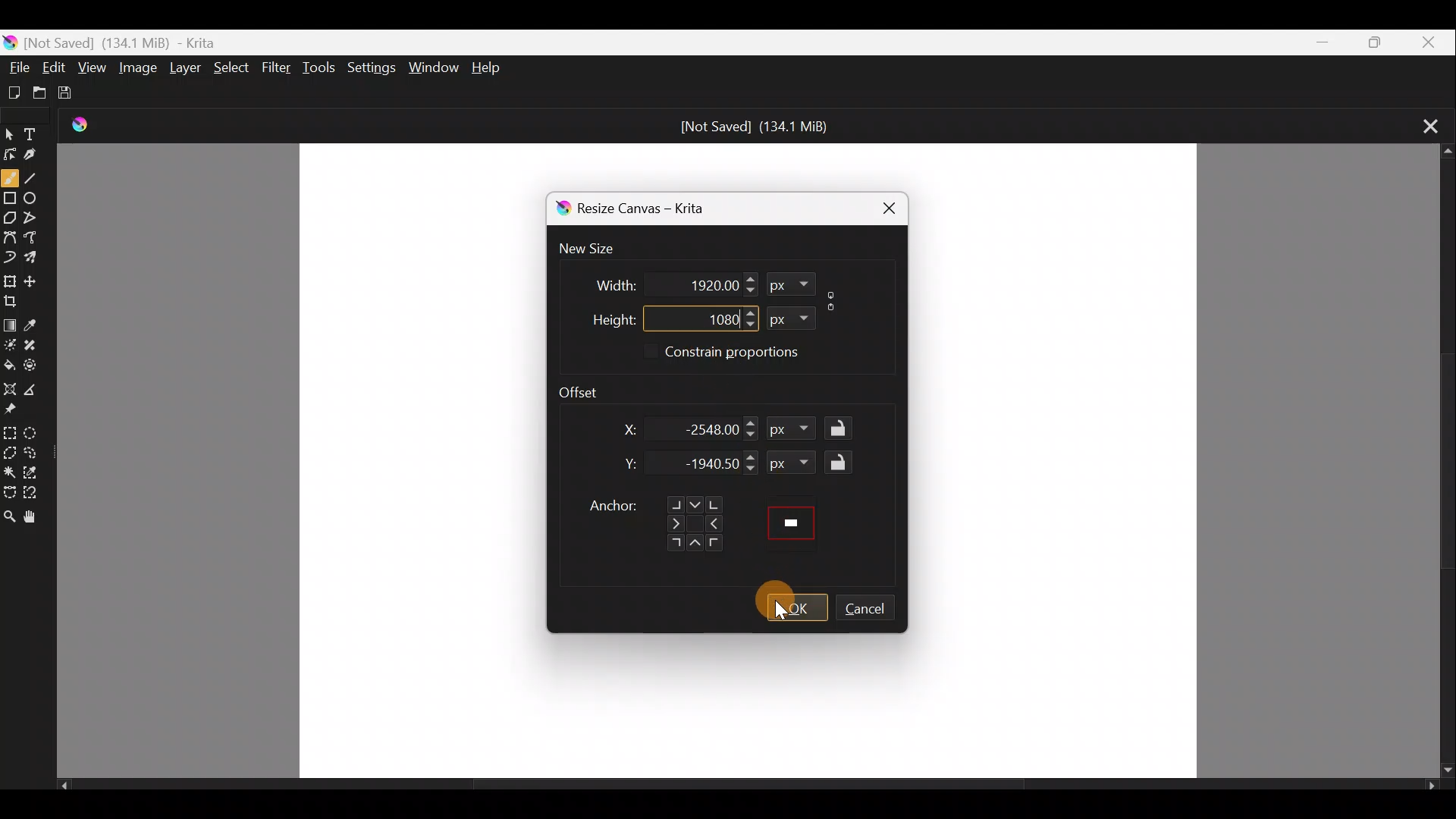 This screenshot has width=1456, height=819. I want to click on Fill a contiguous area of colour with colour/fill a selection, so click(9, 363).